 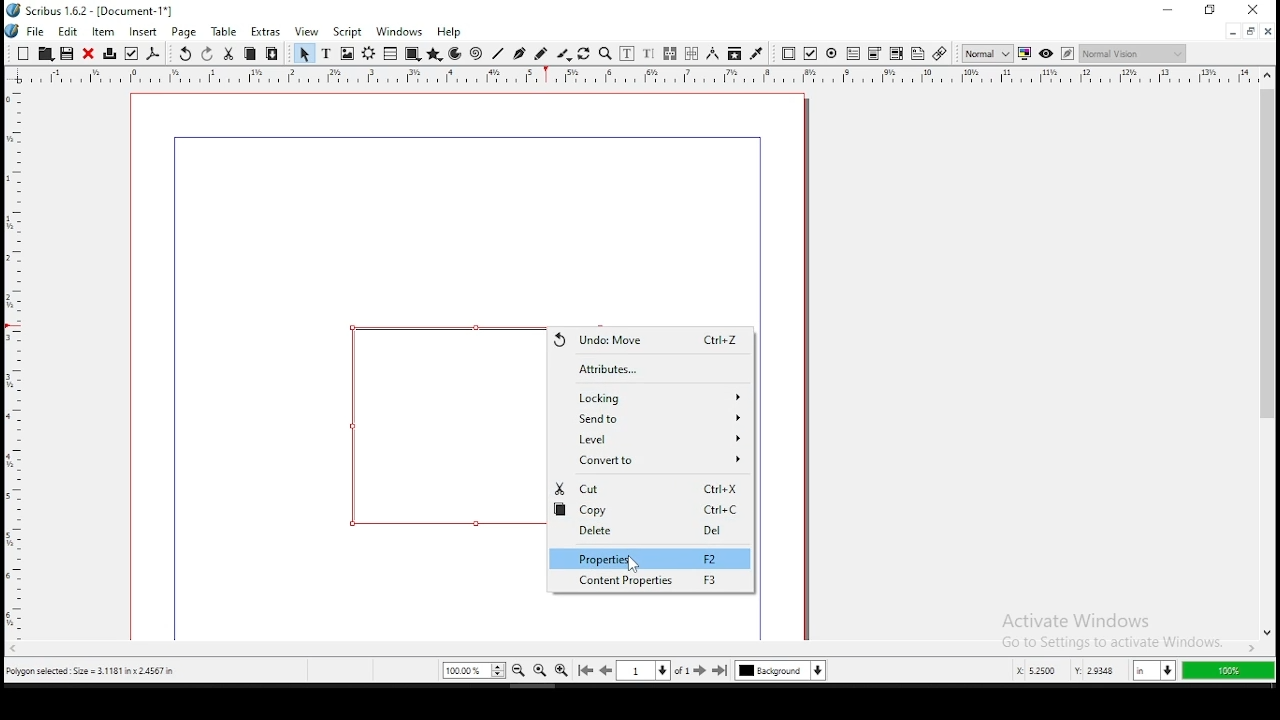 I want to click on extras, so click(x=265, y=32).